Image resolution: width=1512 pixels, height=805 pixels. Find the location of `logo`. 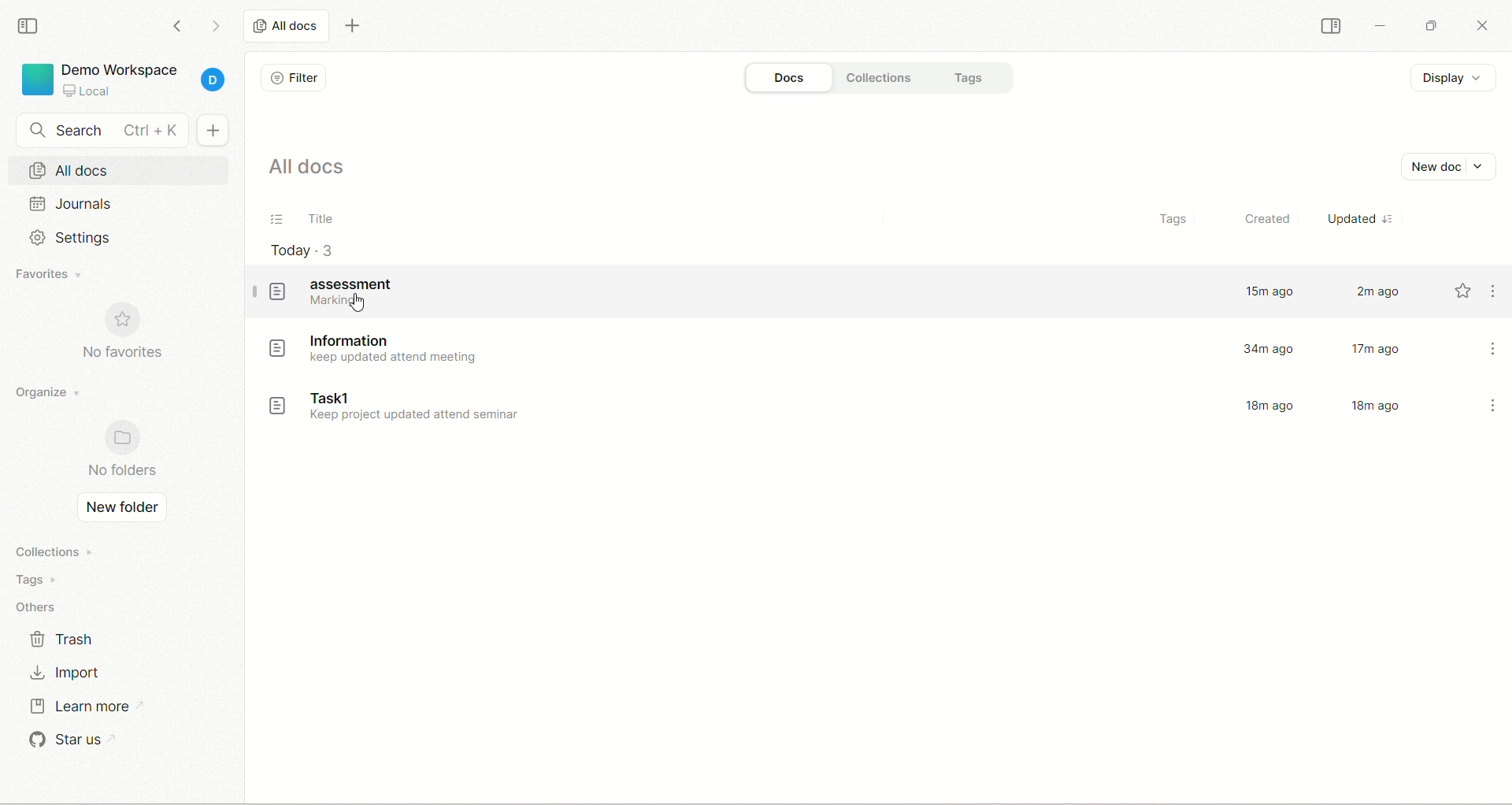

logo is located at coordinates (35, 80).